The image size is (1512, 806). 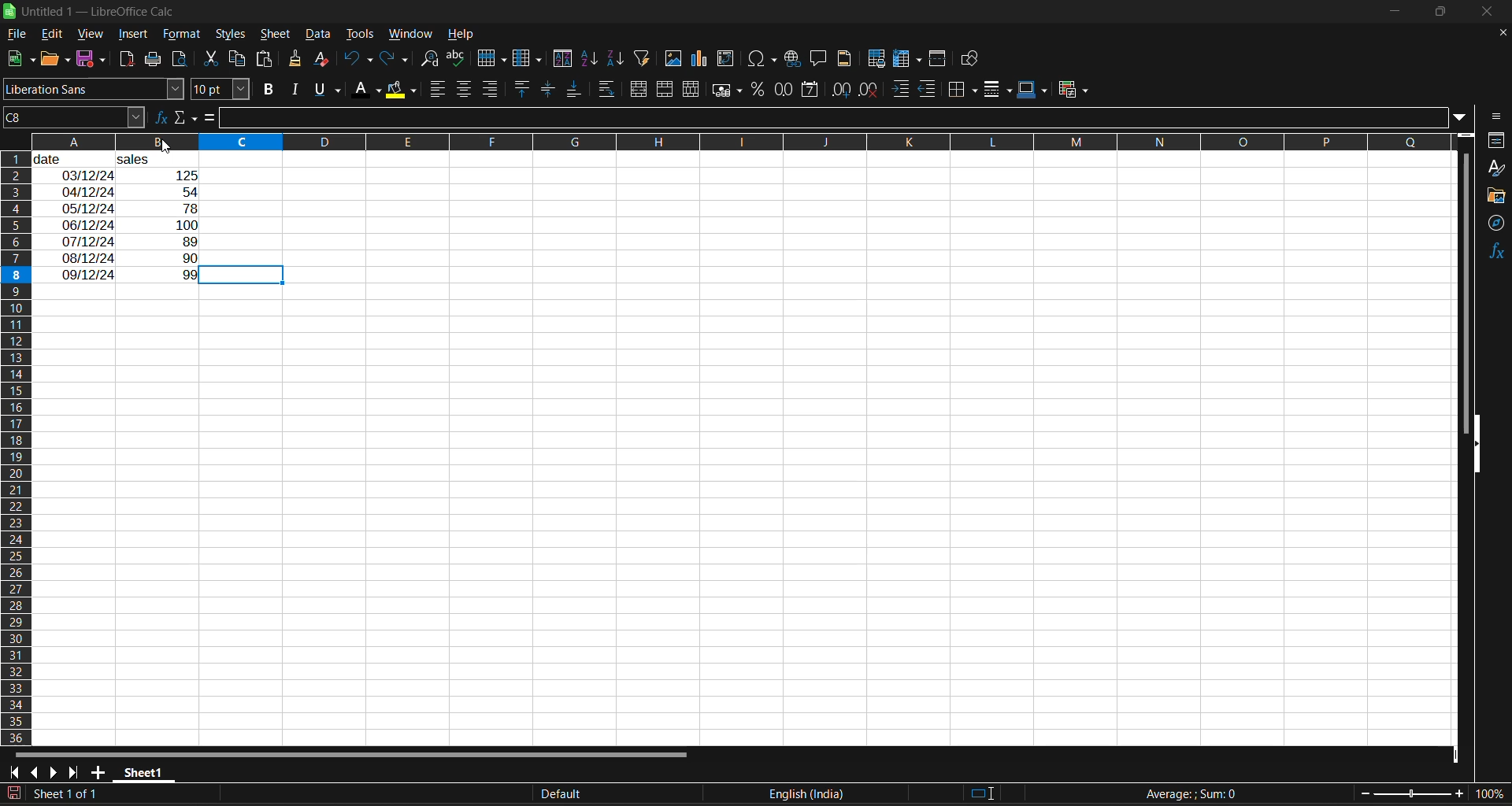 What do you see at coordinates (530, 59) in the screenshot?
I see `column` at bounding box center [530, 59].